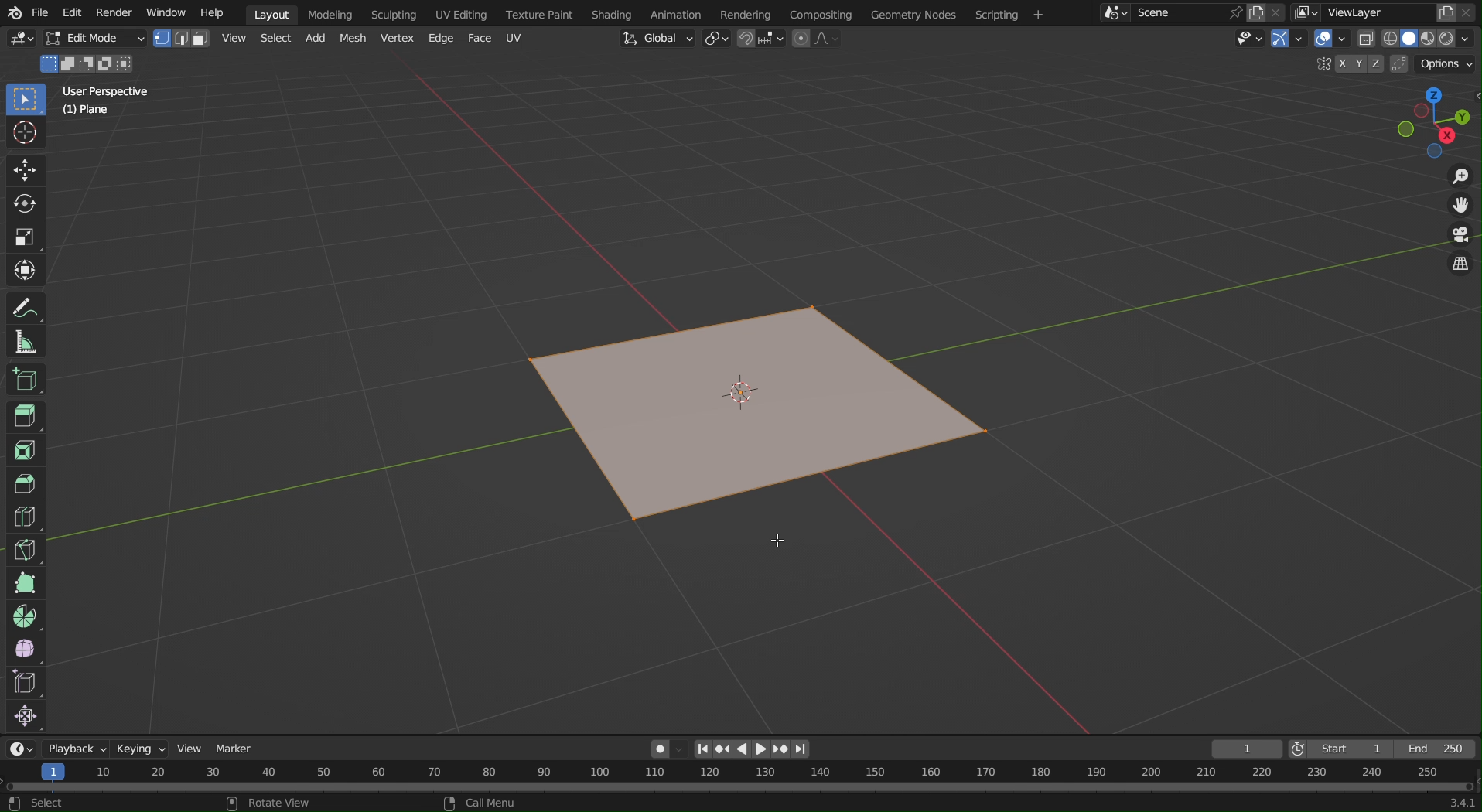 The image size is (1482, 812). Describe the element at coordinates (210, 12) in the screenshot. I see `Help` at that location.